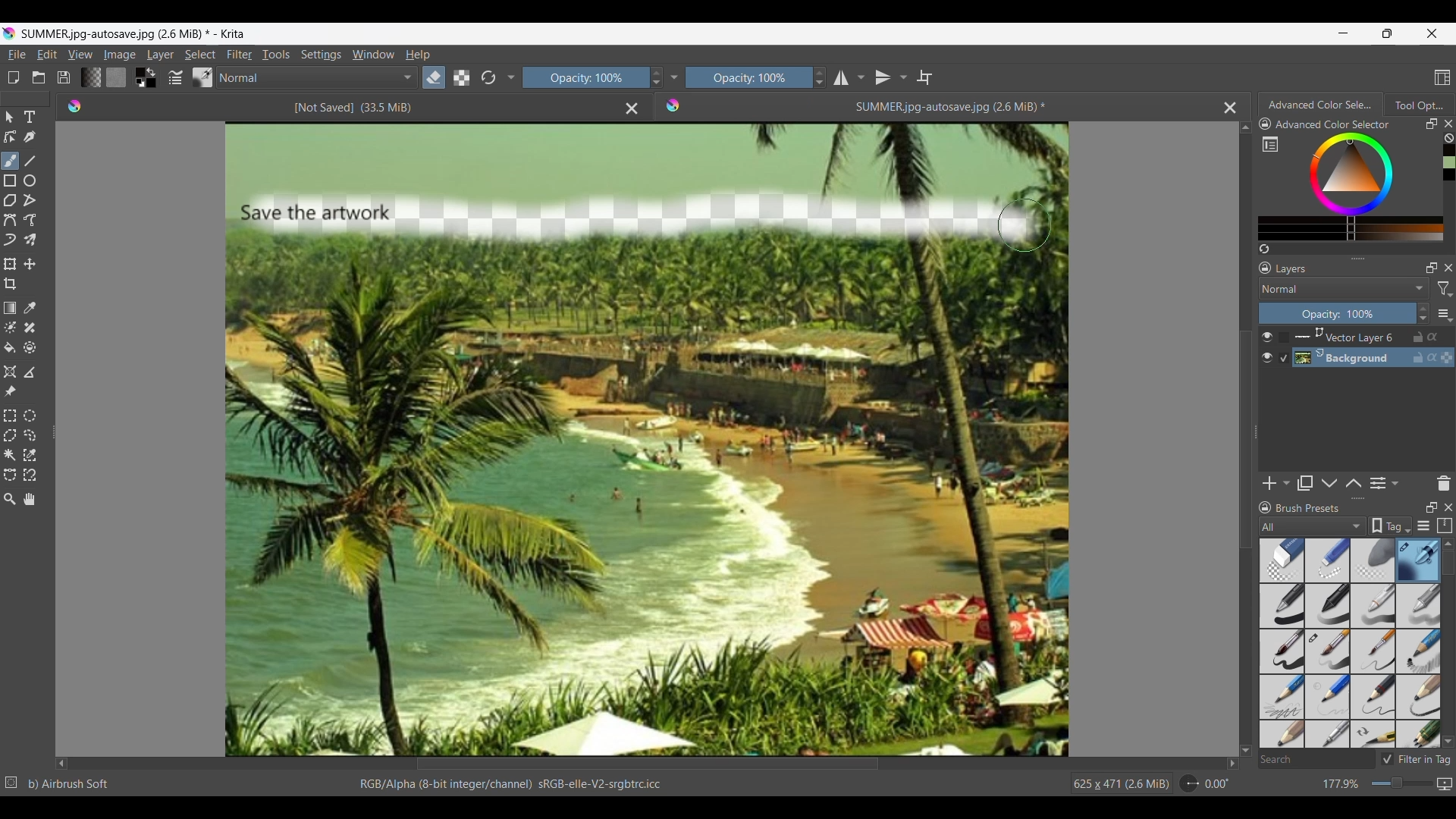  What do you see at coordinates (9, 500) in the screenshot?
I see `Zoom tool` at bounding box center [9, 500].